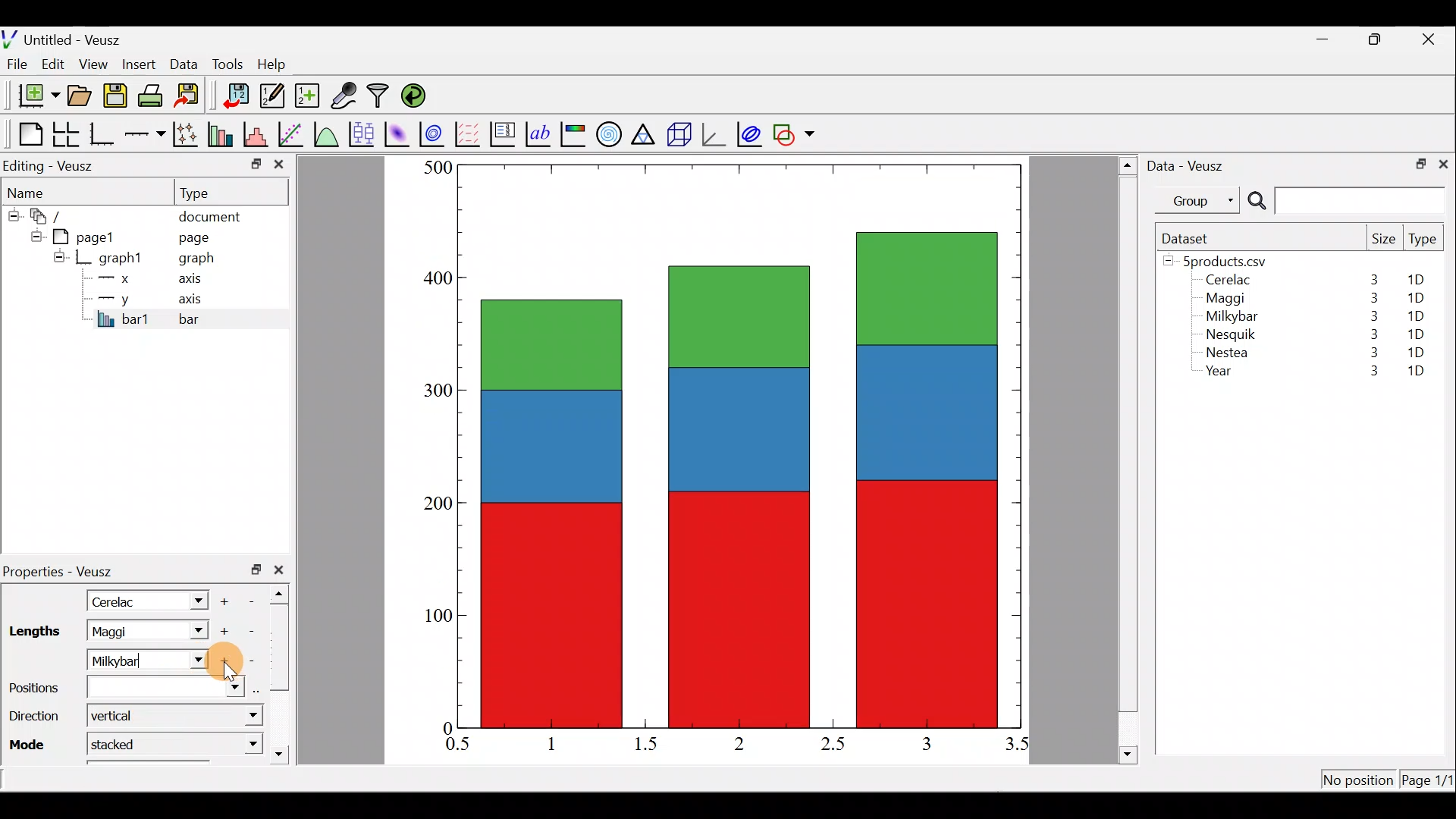 This screenshot has width=1456, height=819. What do you see at coordinates (1200, 199) in the screenshot?
I see `Group` at bounding box center [1200, 199].